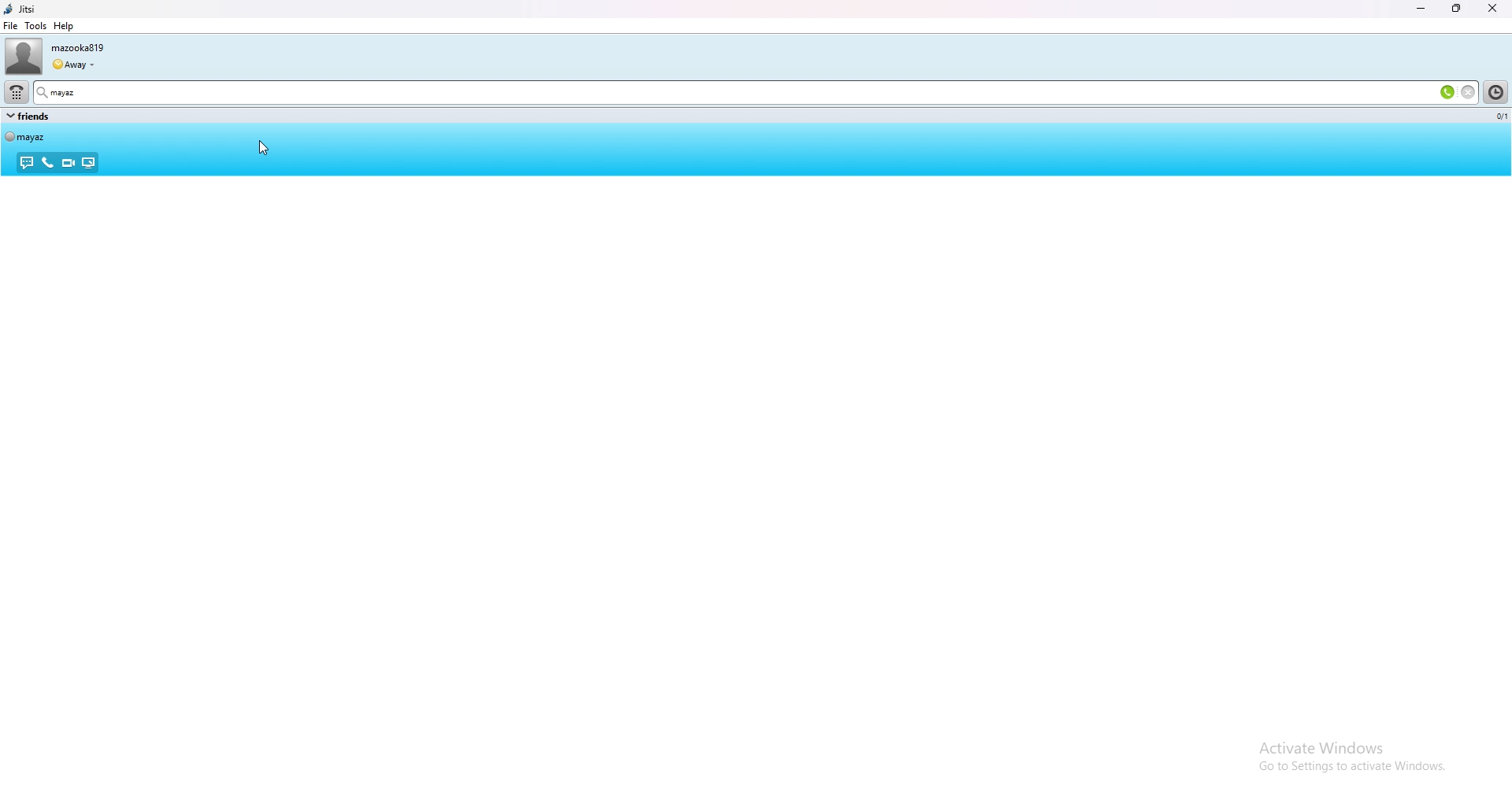  What do you see at coordinates (67, 163) in the screenshot?
I see `video contact` at bounding box center [67, 163].